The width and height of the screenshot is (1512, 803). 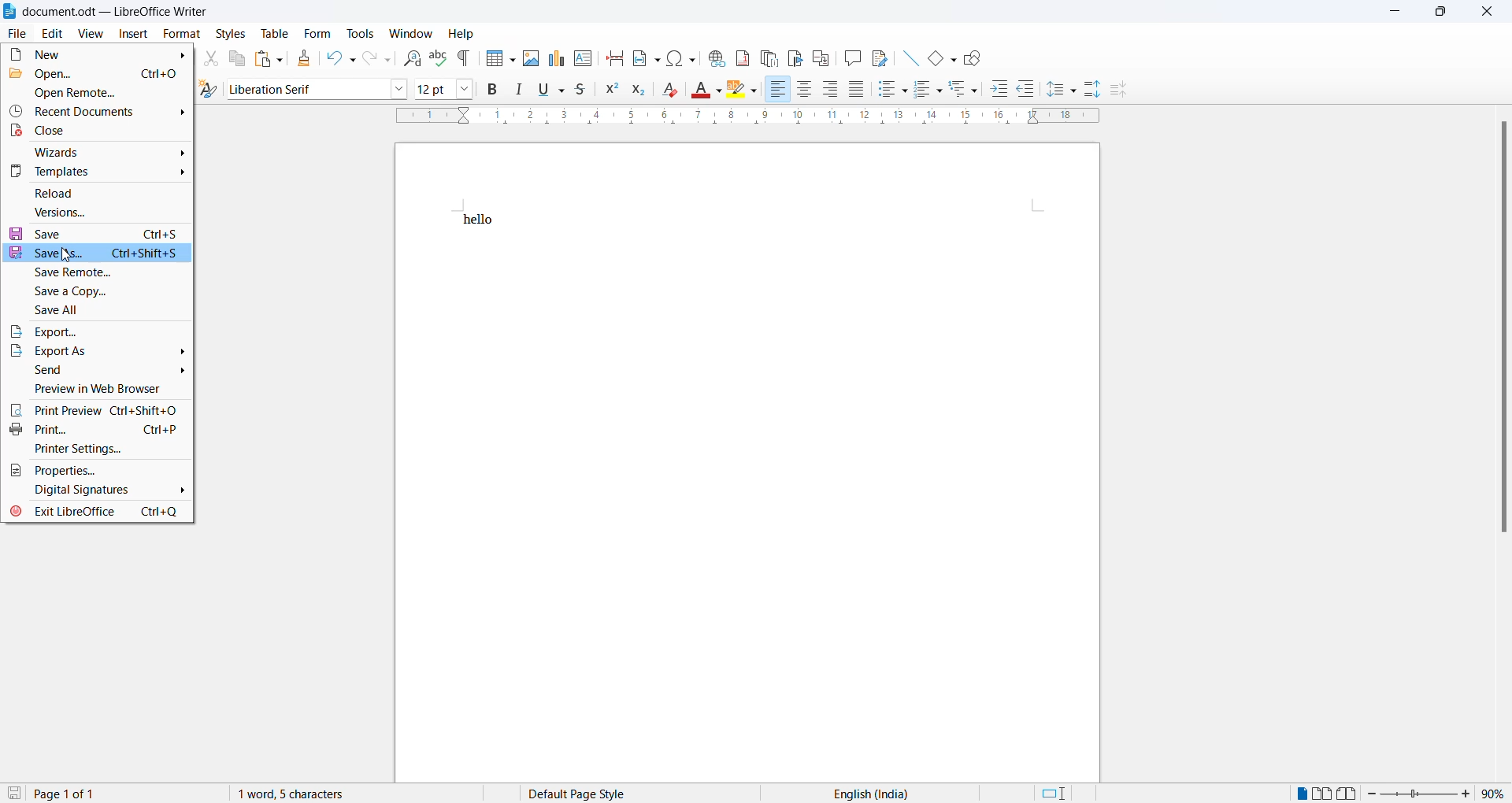 What do you see at coordinates (1493, 794) in the screenshot?
I see `Zoom percentage` at bounding box center [1493, 794].